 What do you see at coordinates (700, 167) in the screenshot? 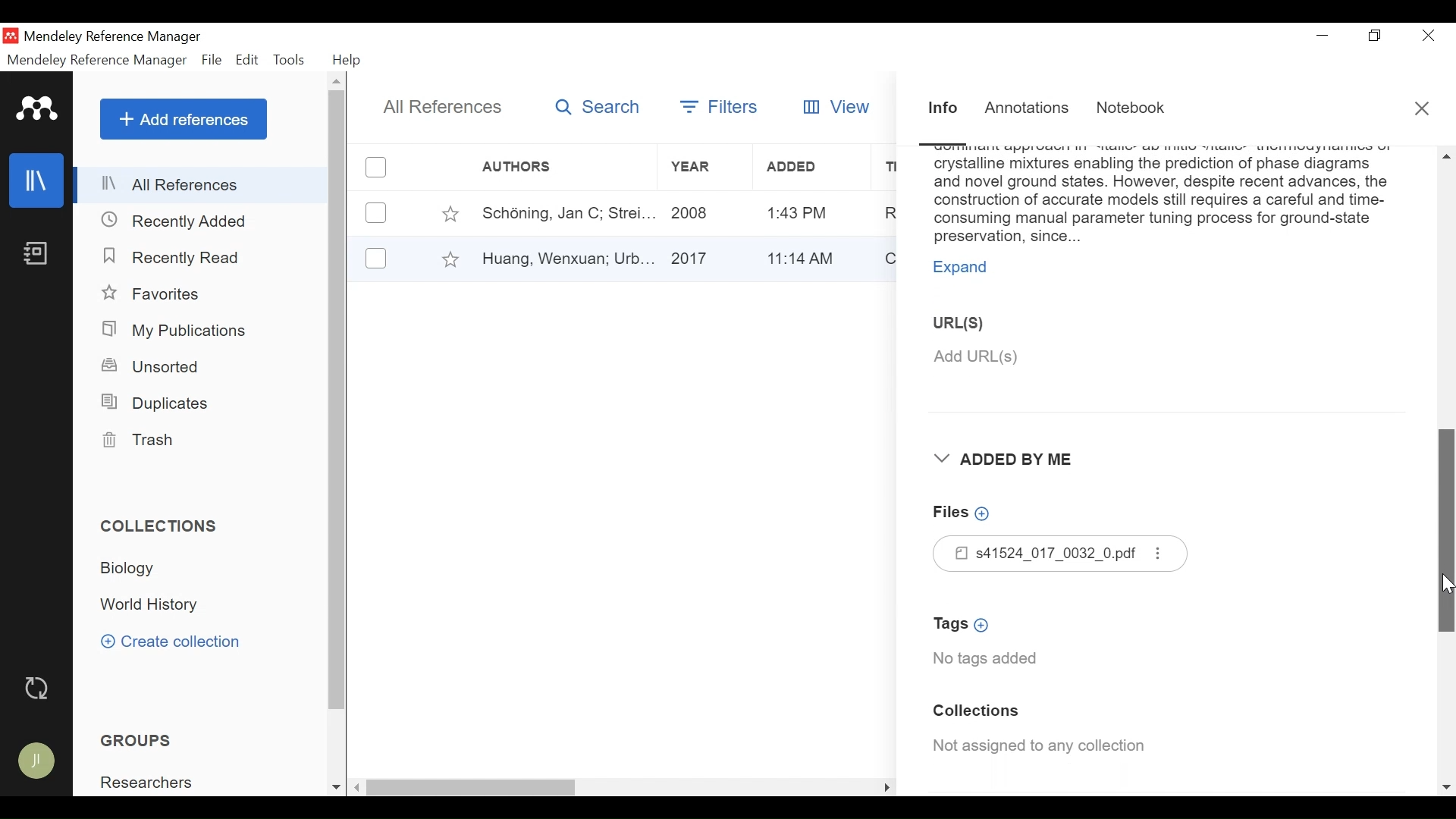
I see `Year` at bounding box center [700, 167].